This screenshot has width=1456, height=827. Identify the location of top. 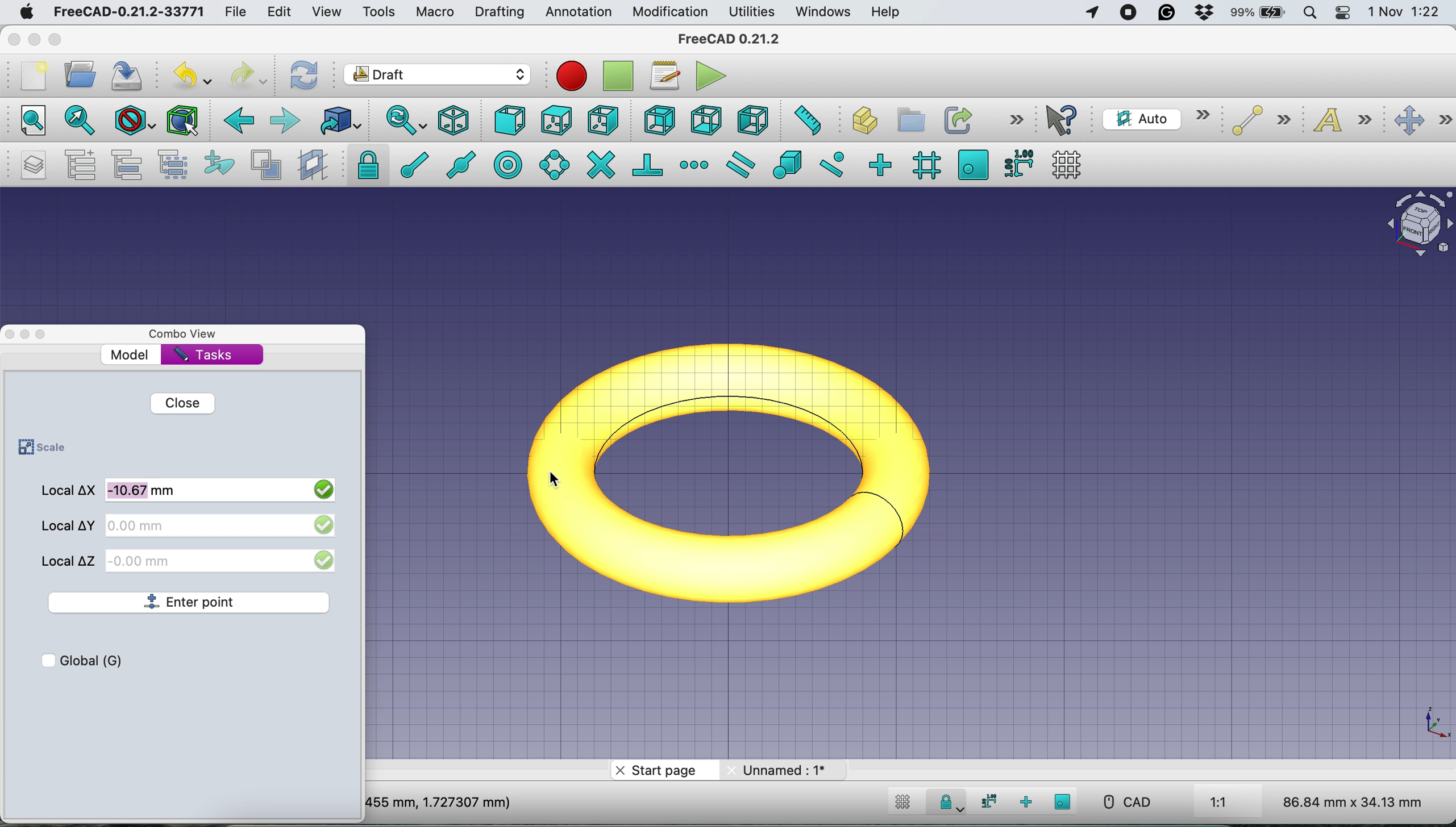
(555, 119).